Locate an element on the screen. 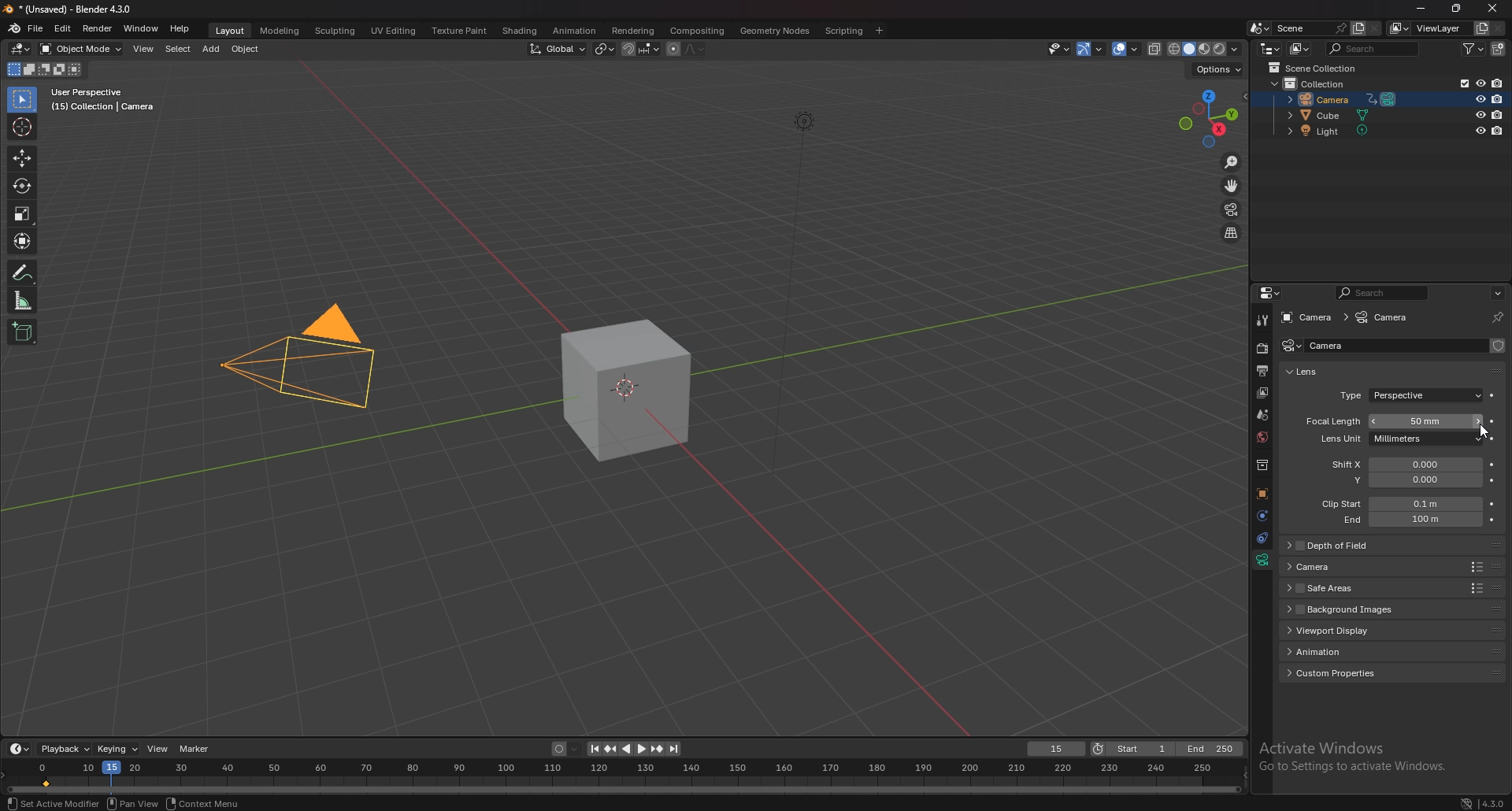 Image resolution: width=1512 pixels, height=811 pixels. cube is located at coordinates (1332, 116).